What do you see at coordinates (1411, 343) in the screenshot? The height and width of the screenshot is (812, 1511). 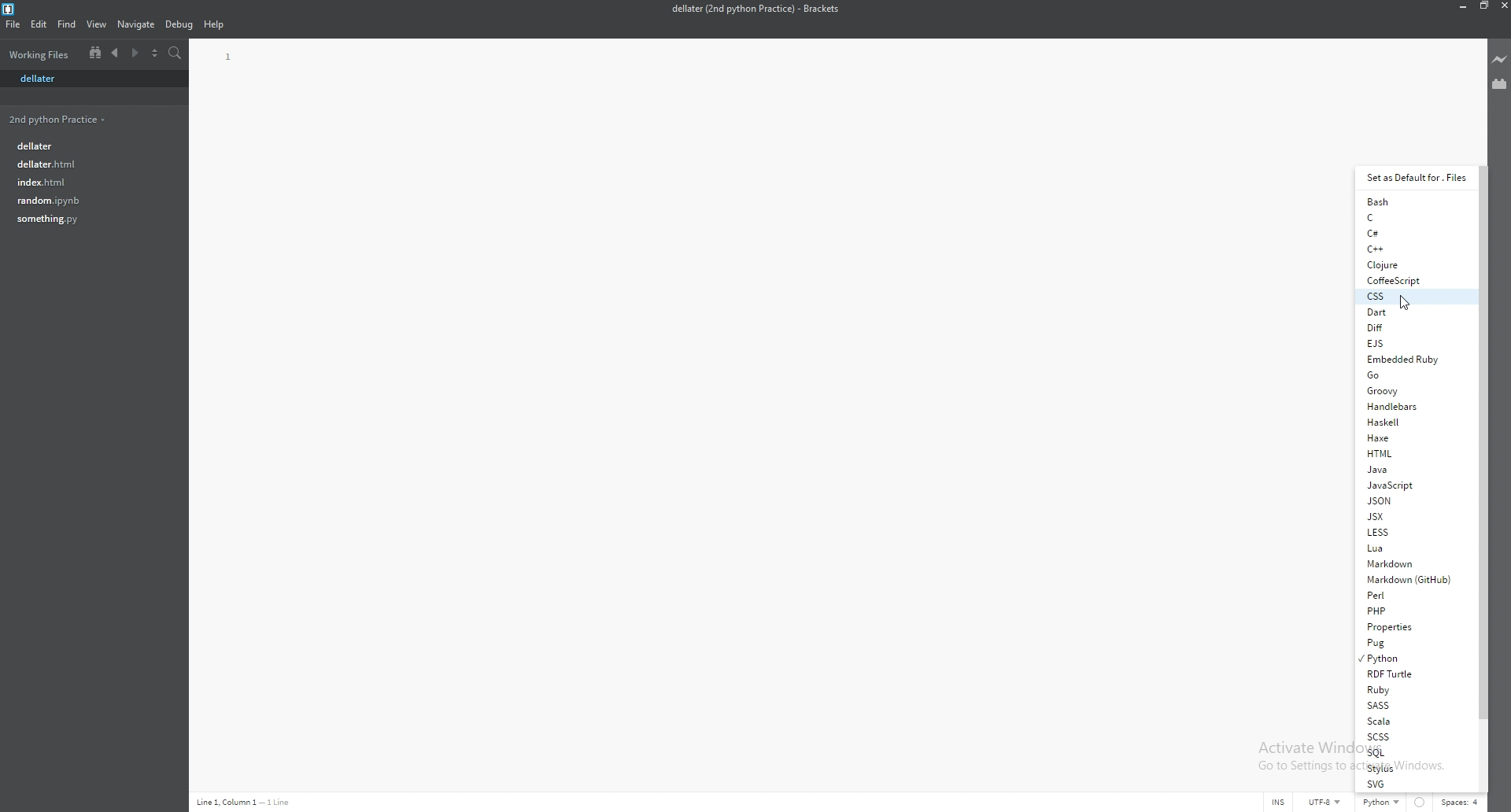 I see `ejs` at bounding box center [1411, 343].